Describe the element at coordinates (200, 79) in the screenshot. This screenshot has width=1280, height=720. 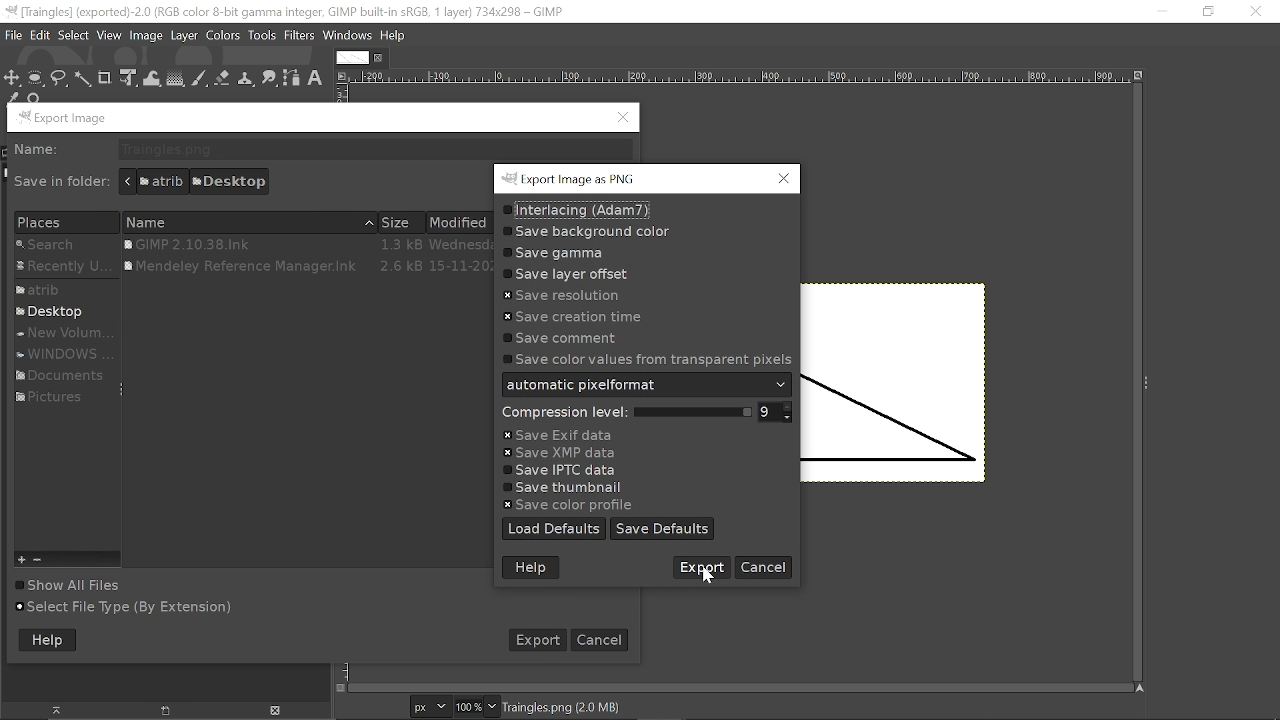
I see `Paintbrush tool` at that location.